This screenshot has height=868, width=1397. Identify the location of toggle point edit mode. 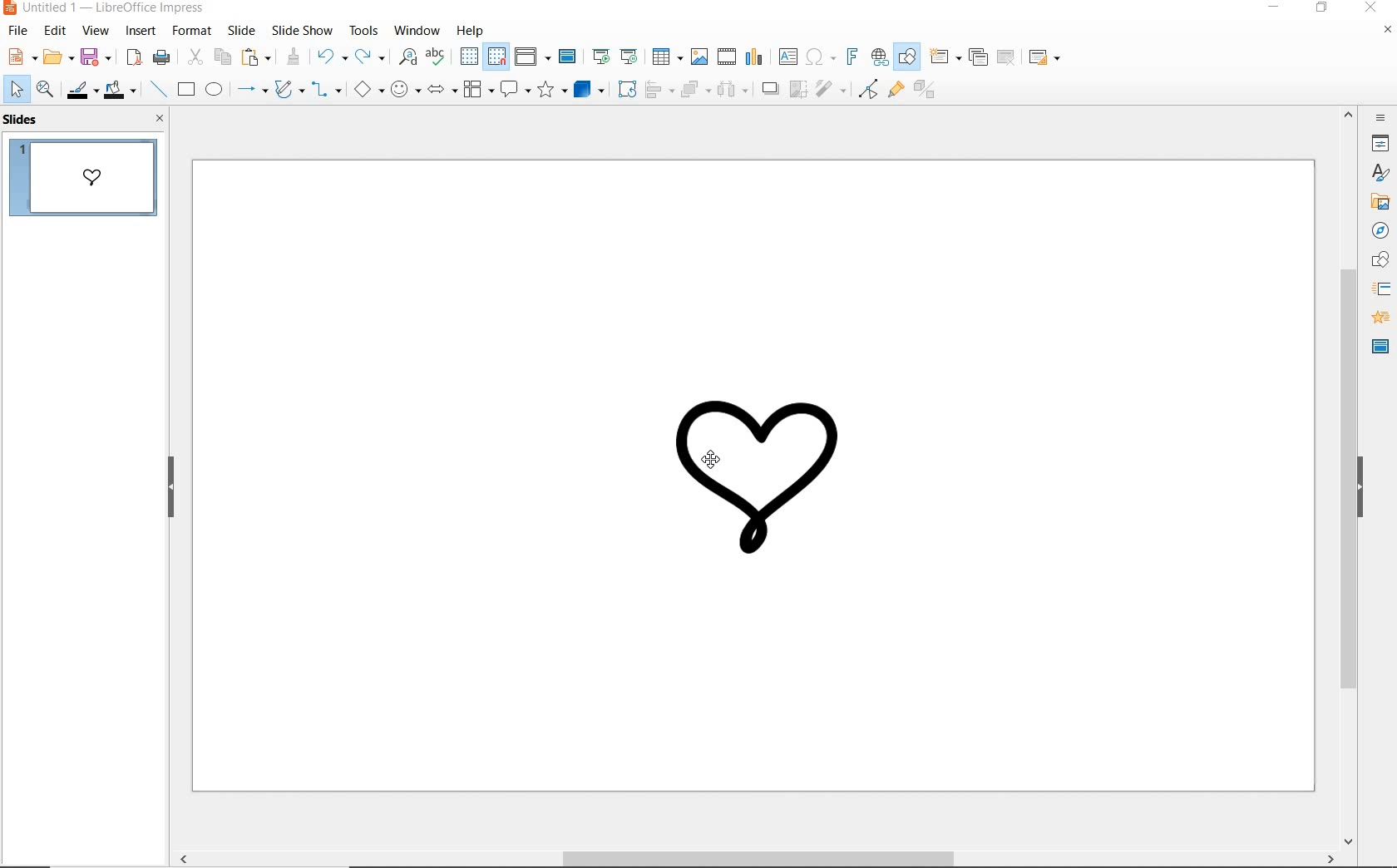
(866, 90).